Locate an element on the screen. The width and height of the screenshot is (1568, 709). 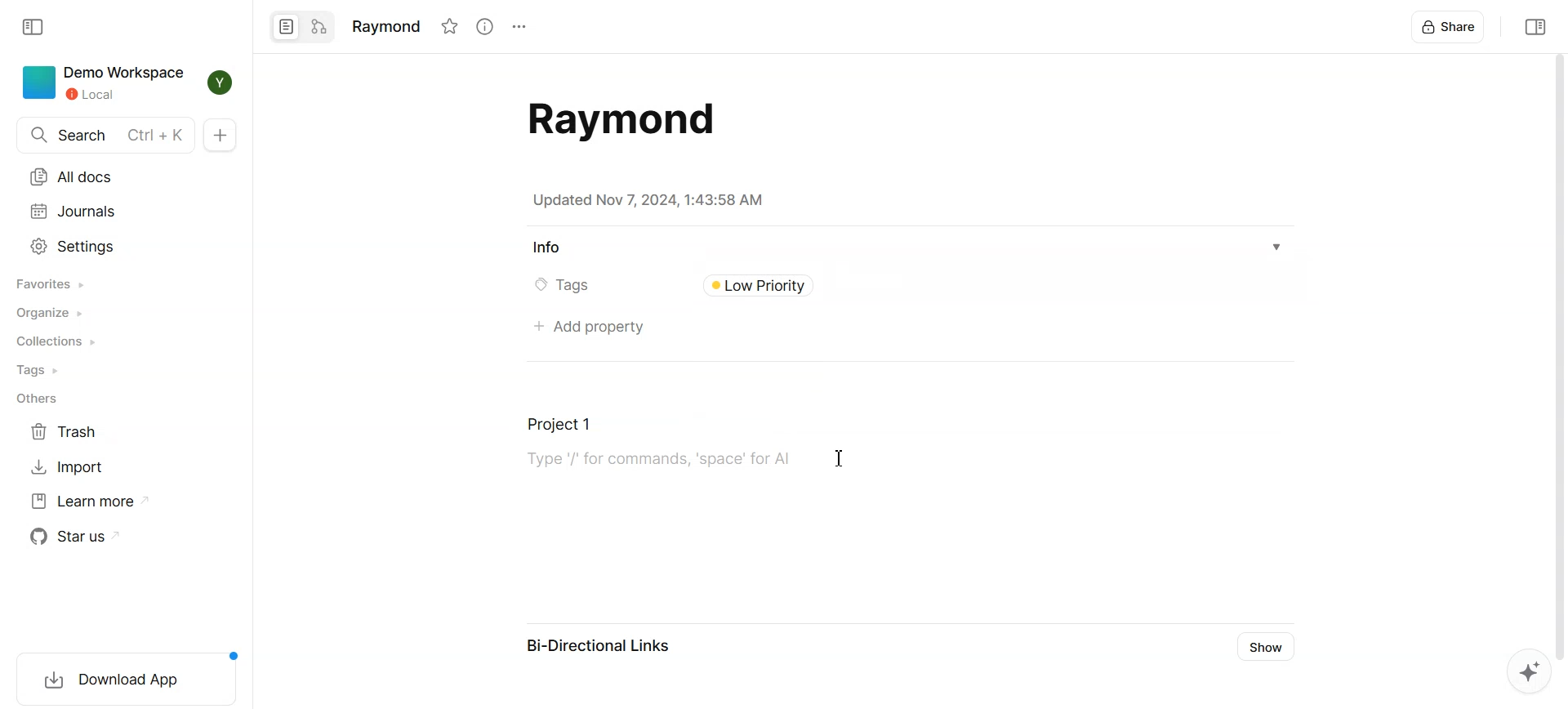
Text cursor is located at coordinates (839, 457).